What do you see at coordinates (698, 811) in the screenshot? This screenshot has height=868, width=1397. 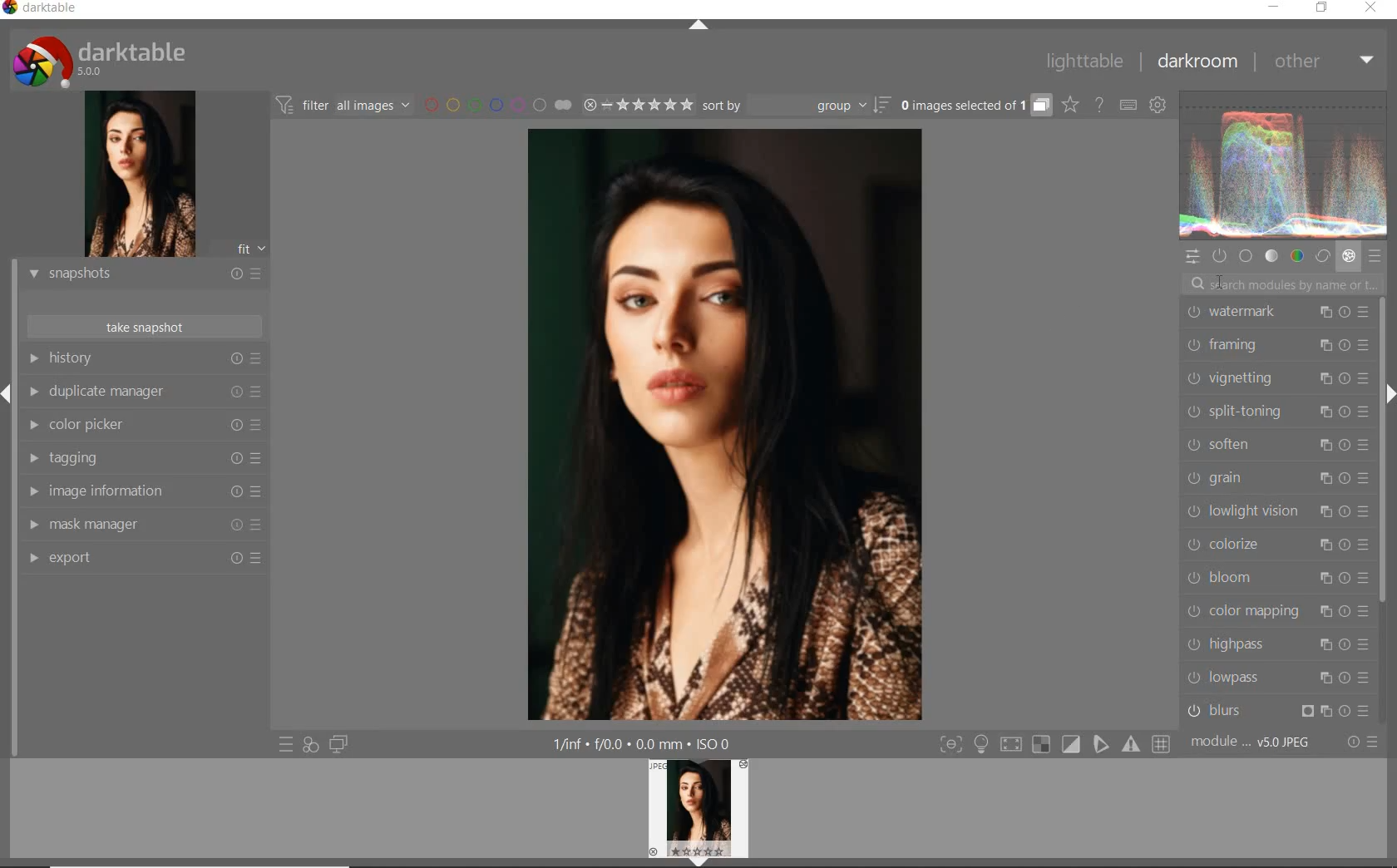 I see `image preview` at bounding box center [698, 811].